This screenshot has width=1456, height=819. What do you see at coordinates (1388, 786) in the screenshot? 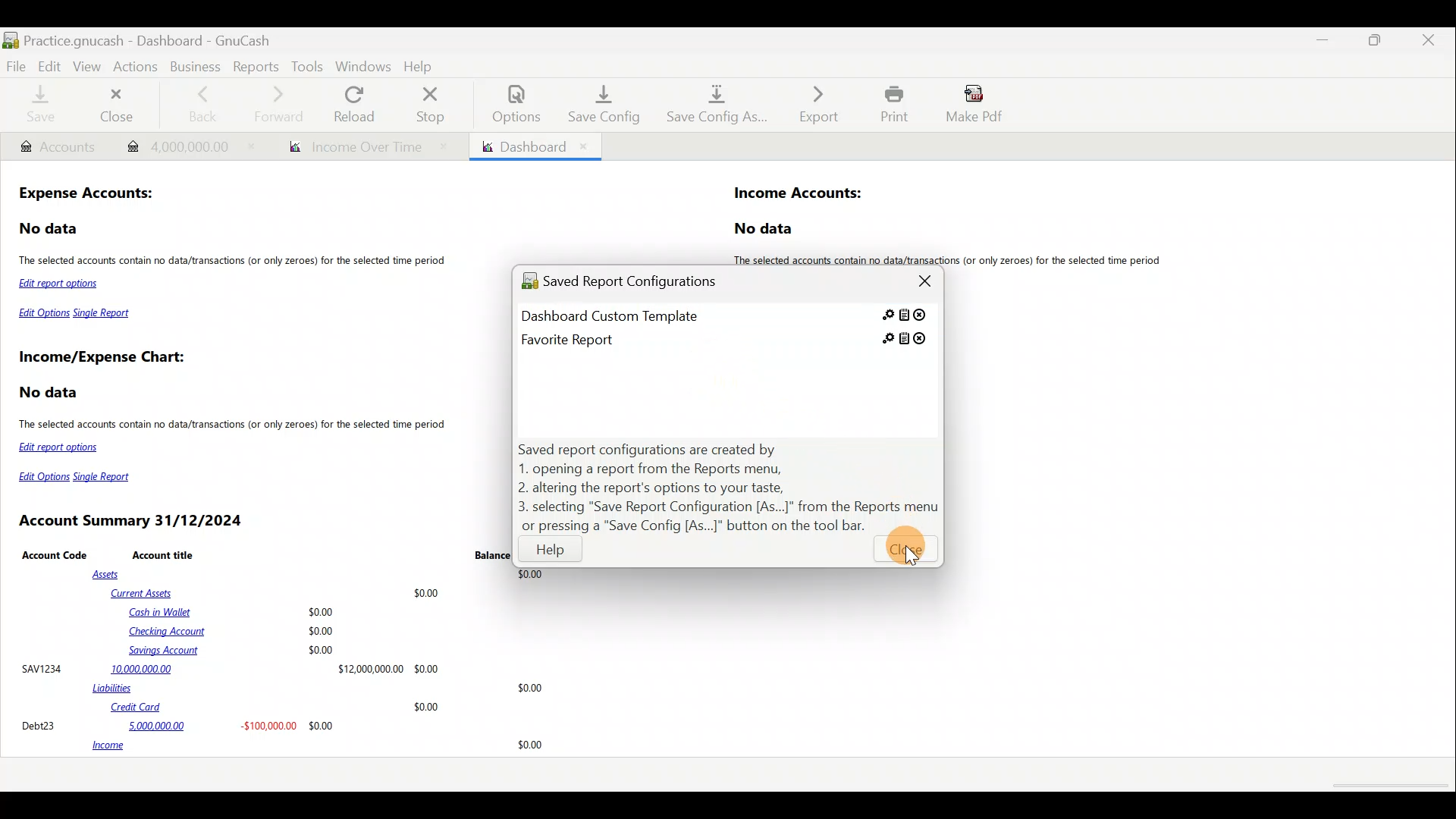
I see `scroll` at bounding box center [1388, 786].